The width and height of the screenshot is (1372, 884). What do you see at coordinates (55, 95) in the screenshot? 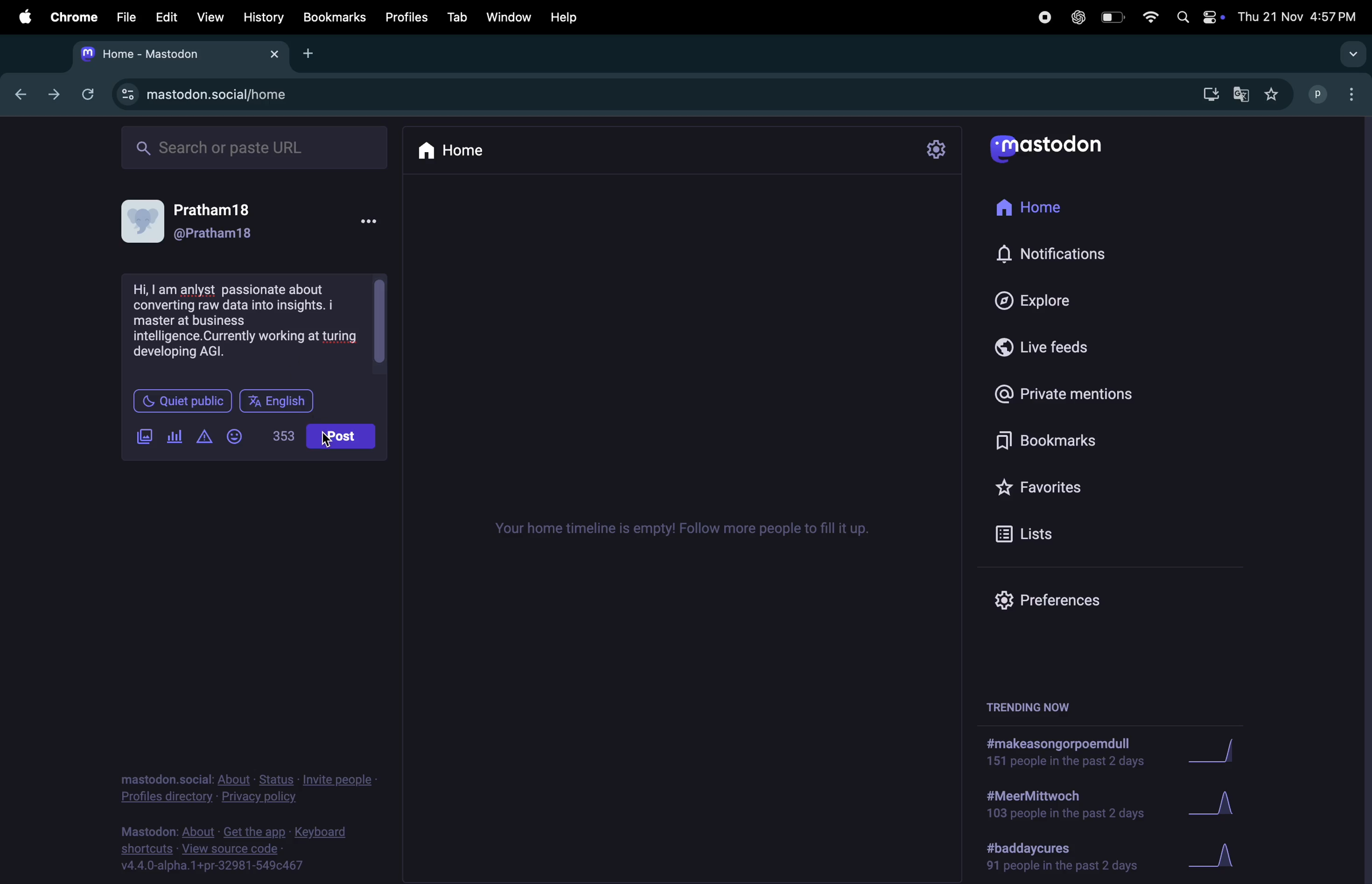
I see `next tab` at bounding box center [55, 95].